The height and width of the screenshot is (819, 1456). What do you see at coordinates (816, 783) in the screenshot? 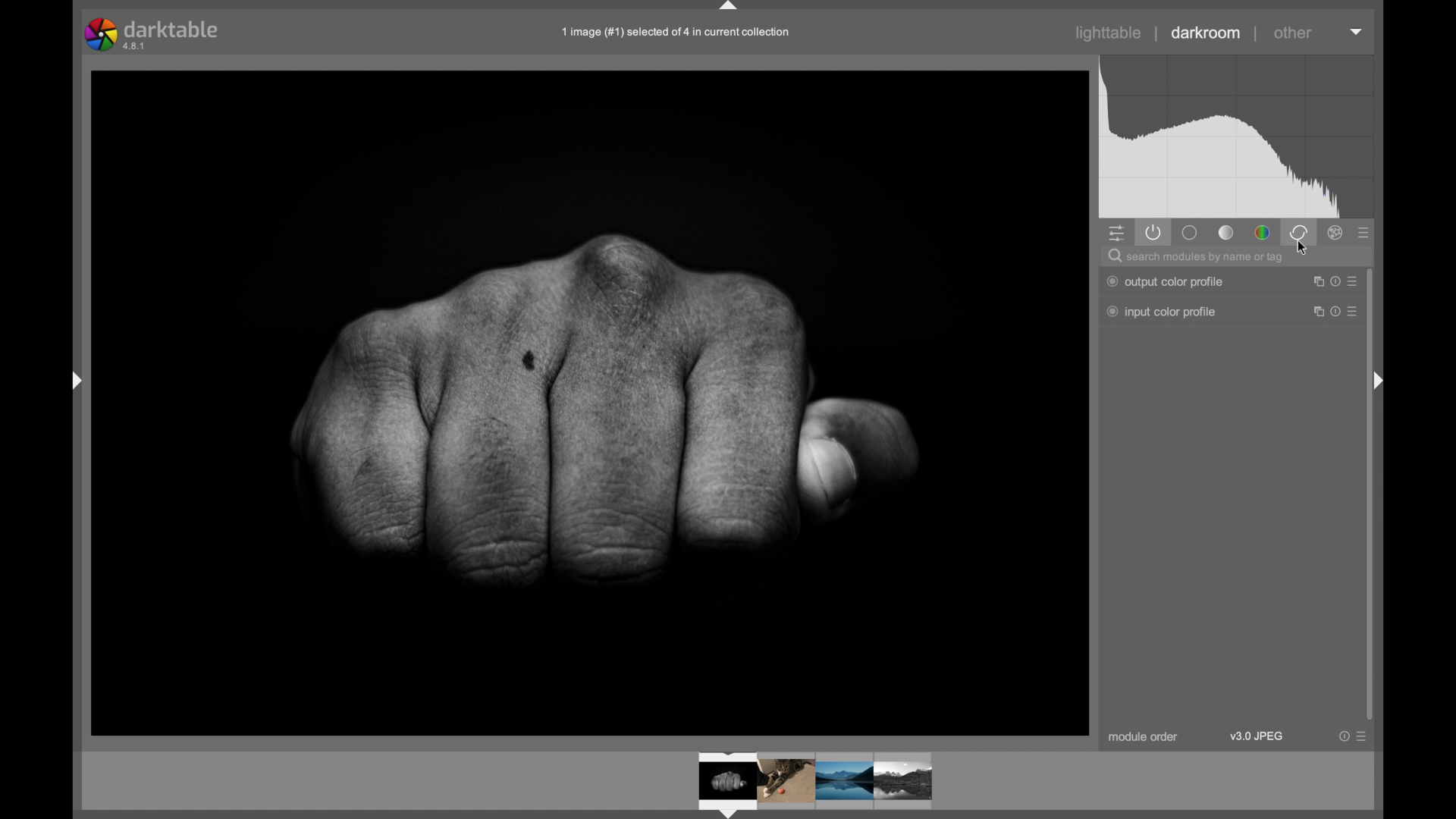
I see `photos preview` at bounding box center [816, 783].